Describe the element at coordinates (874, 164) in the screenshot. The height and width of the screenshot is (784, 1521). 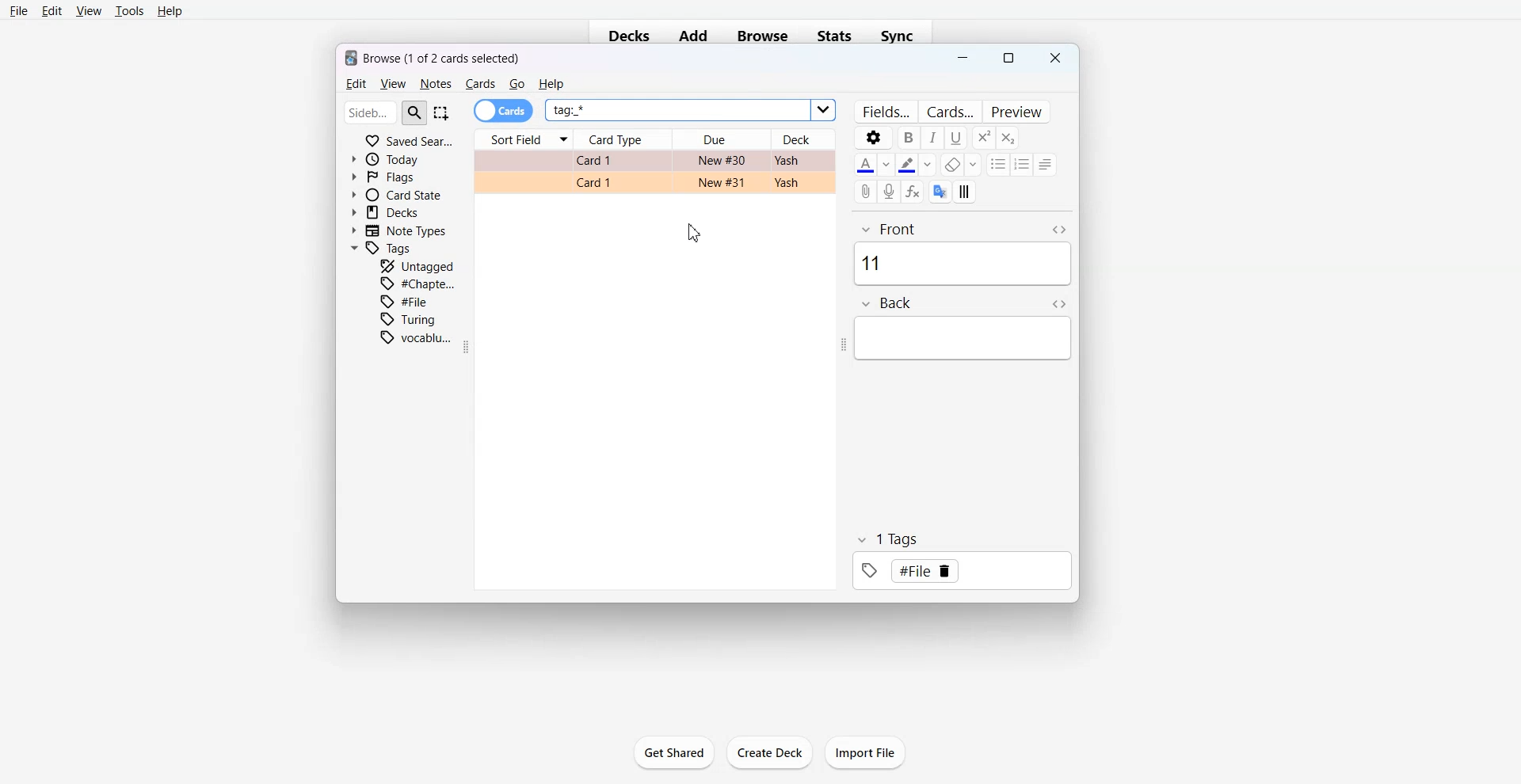
I see `Text color` at that location.